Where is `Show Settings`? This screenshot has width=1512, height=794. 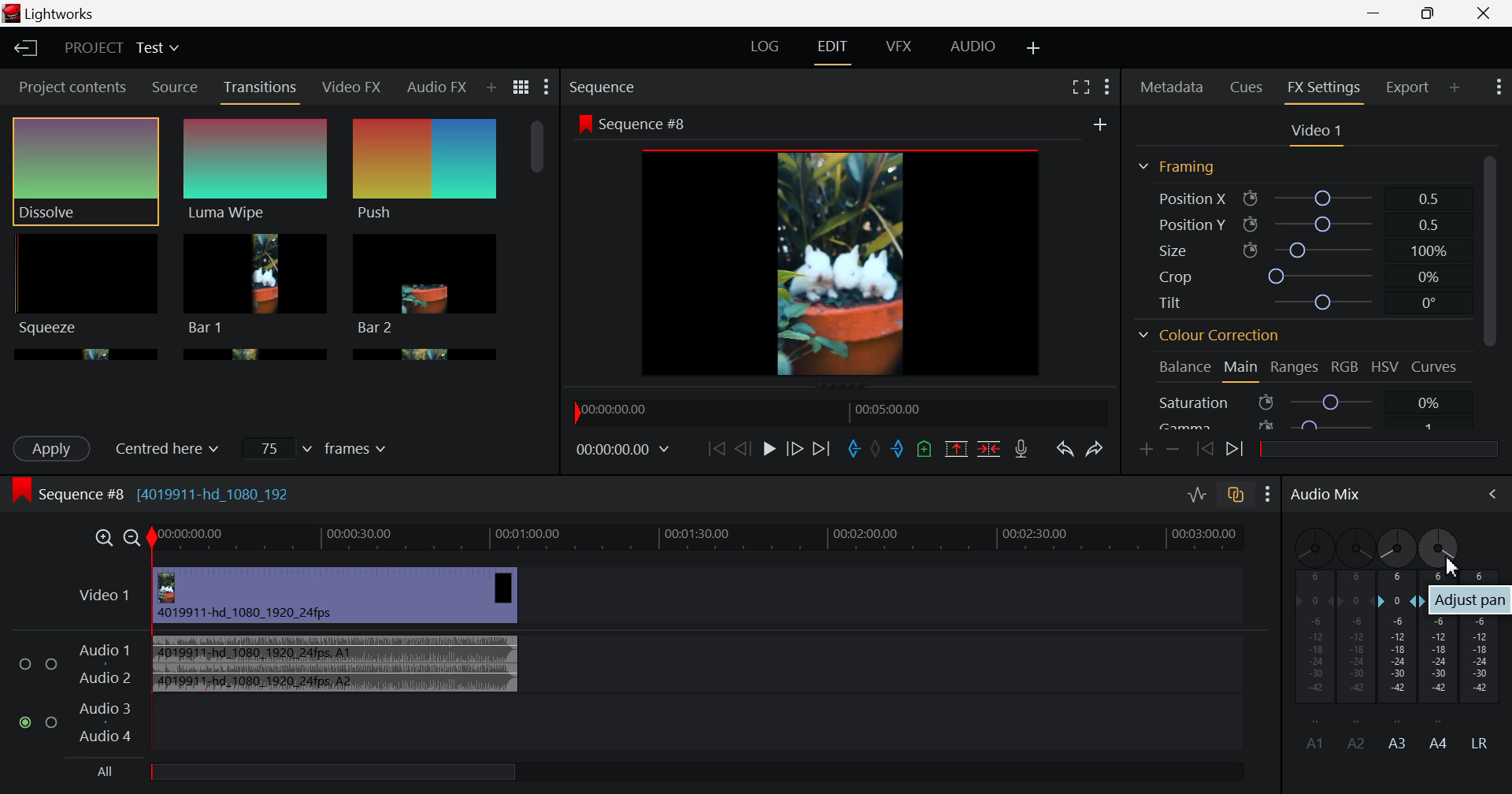
Show Settings is located at coordinates (1268, 496).